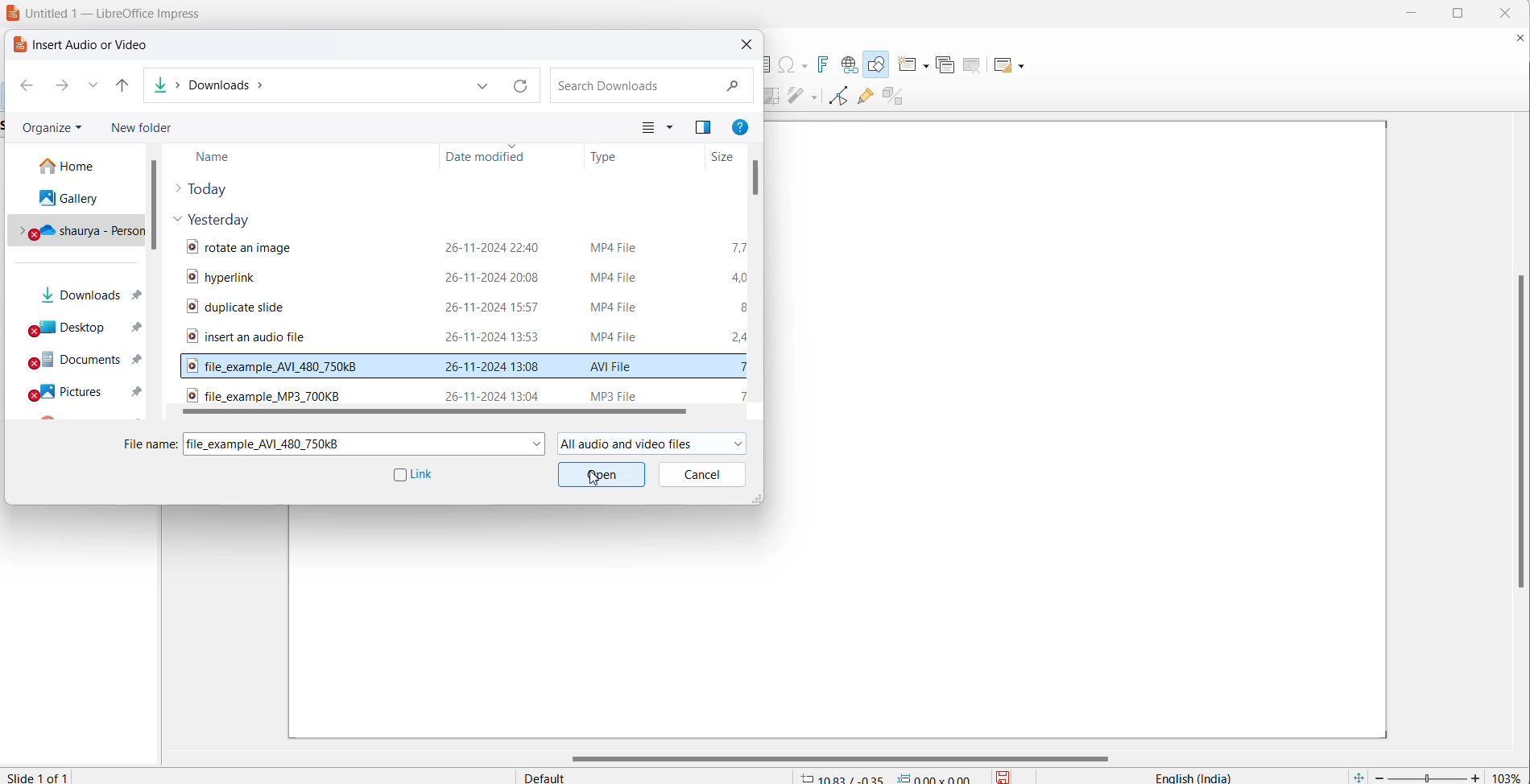  I want to click on new slide options, so click(928, 65).